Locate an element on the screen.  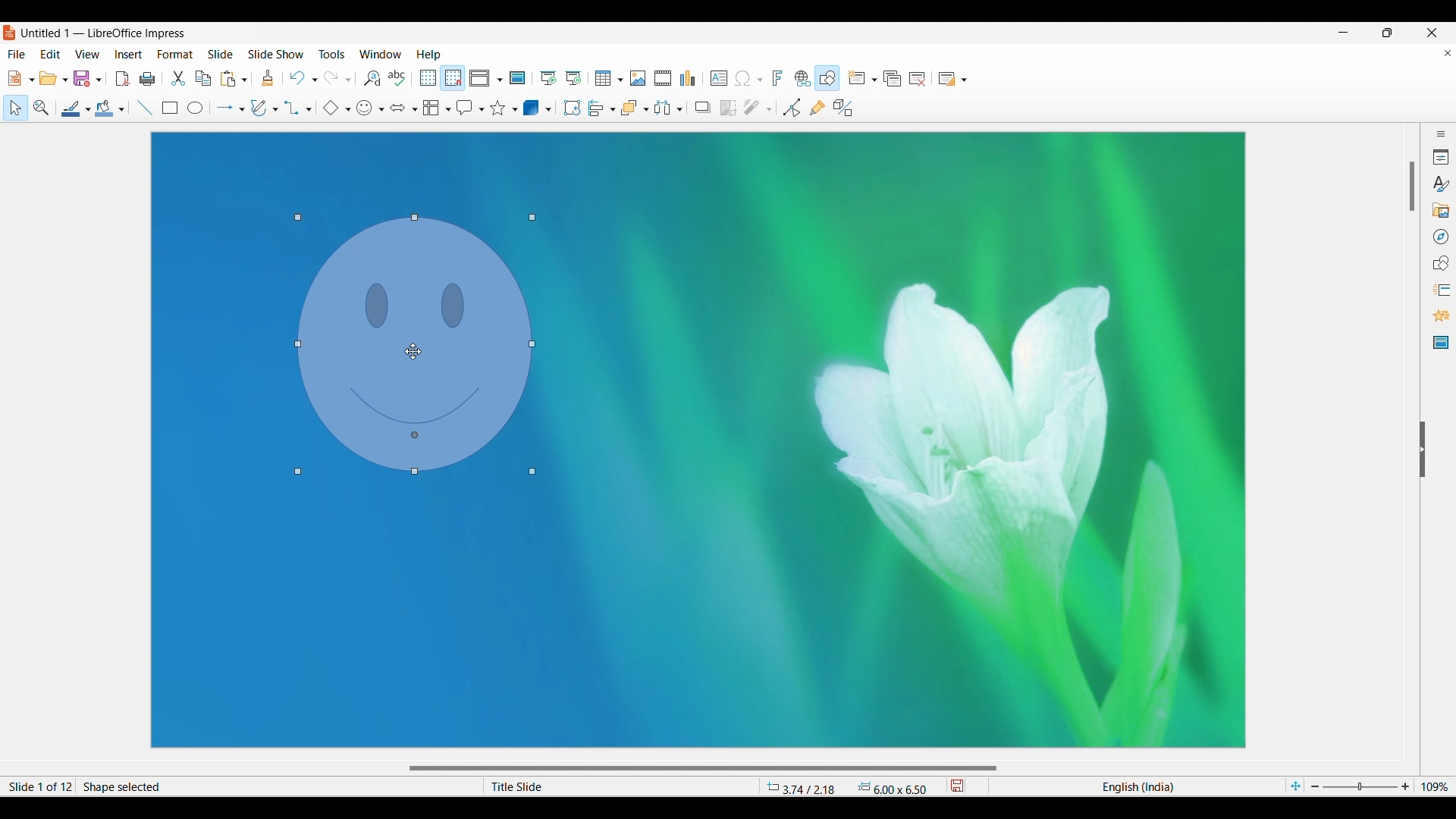
Crop image is located at coordinates (728, 108).